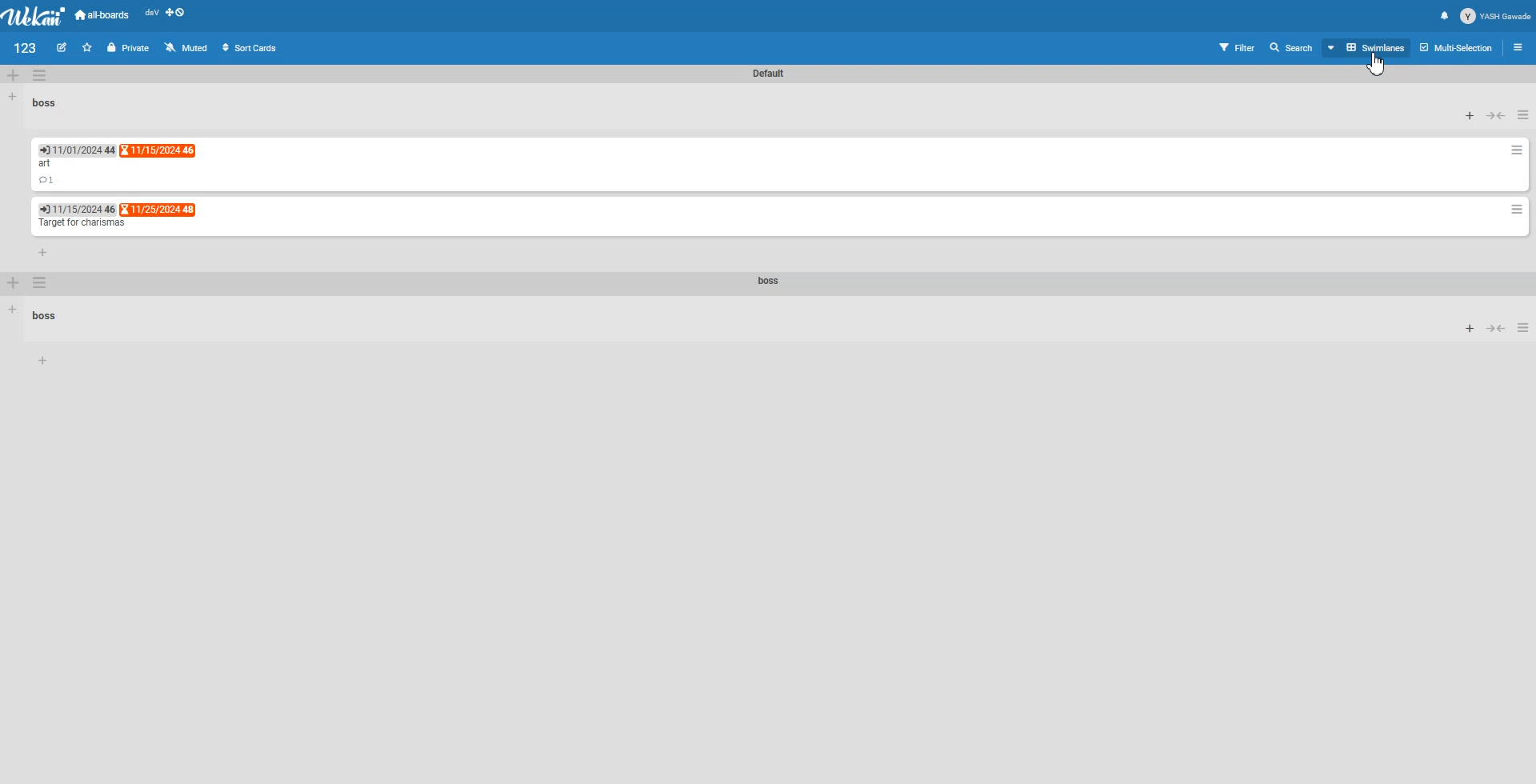 This screenshot has height=784, width=1536. I want to click on Text, so click(45, 165).